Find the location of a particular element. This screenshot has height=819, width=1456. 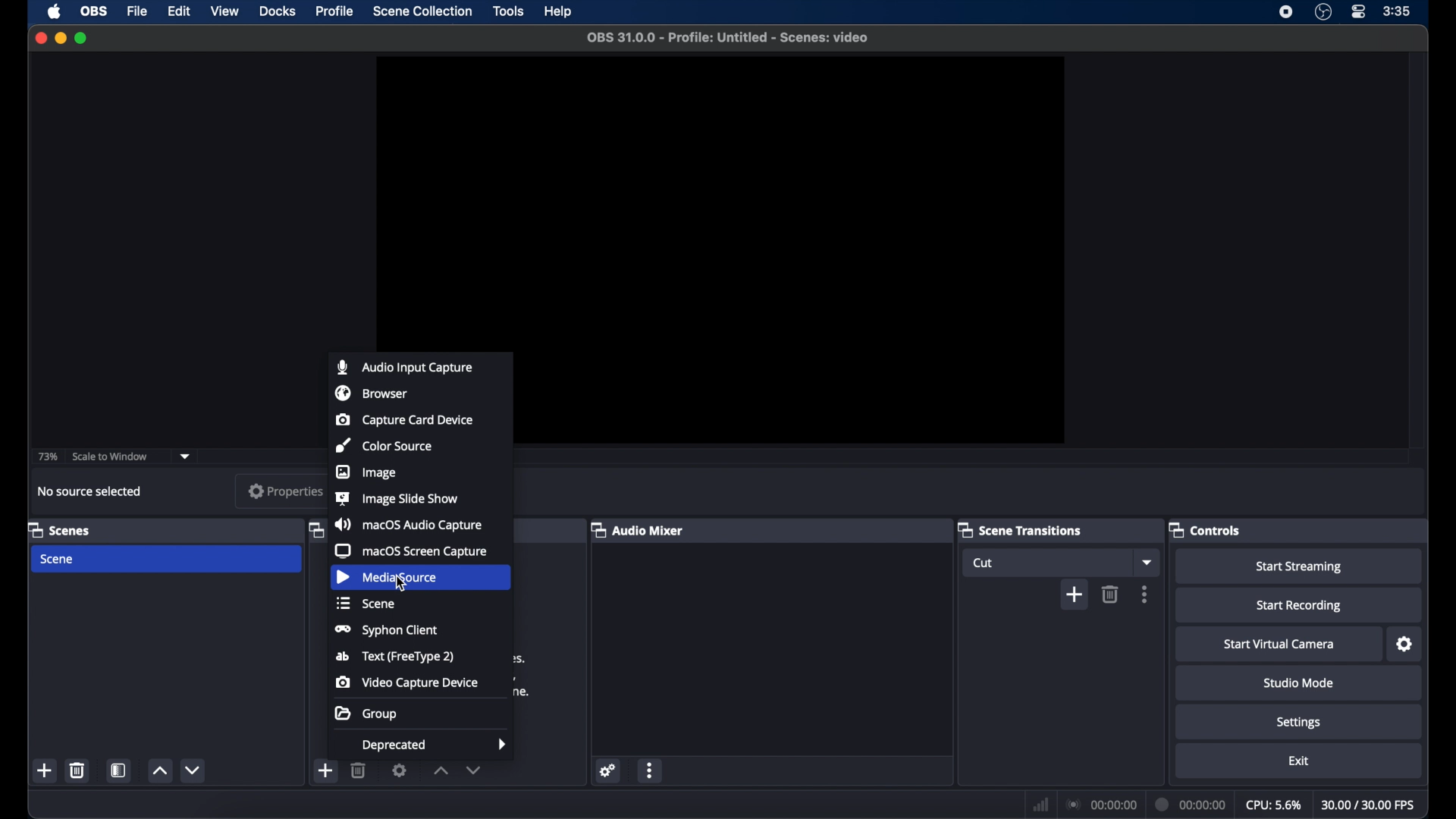

start streaming is located at coordinates (1301, 566).